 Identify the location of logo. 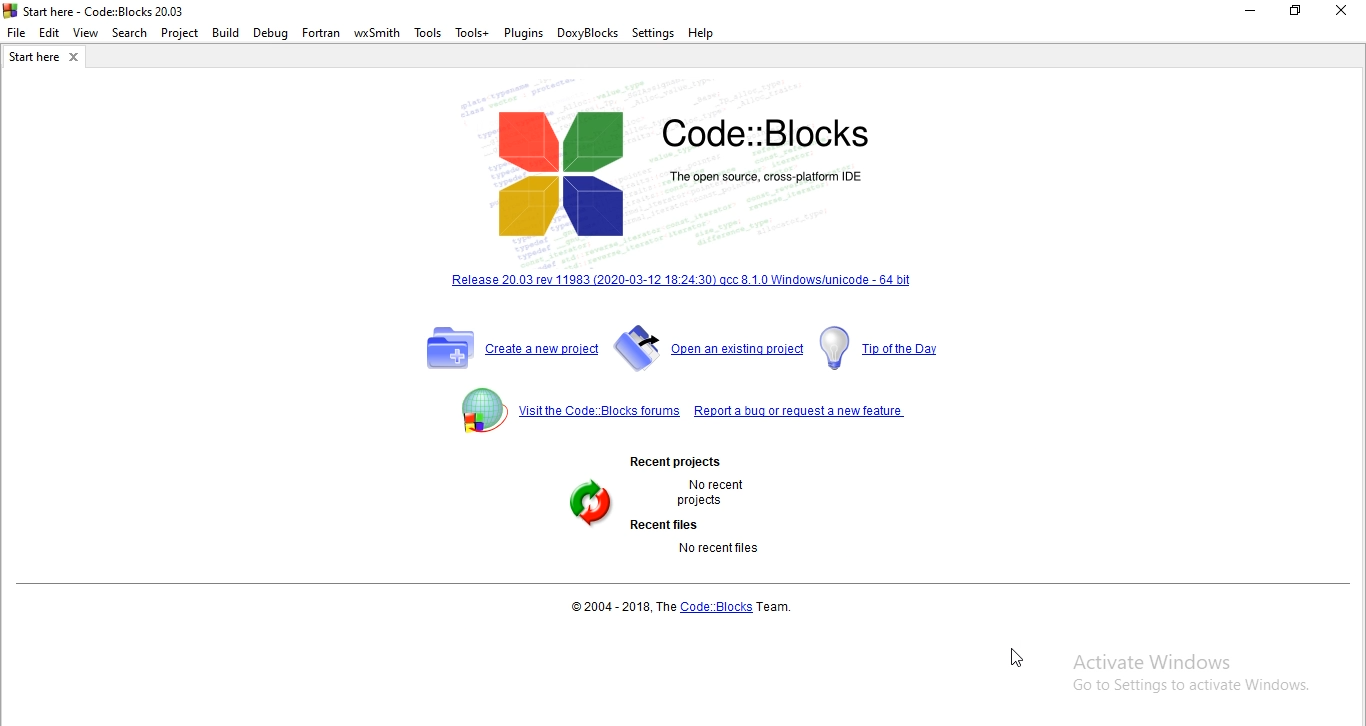
(593, 498).